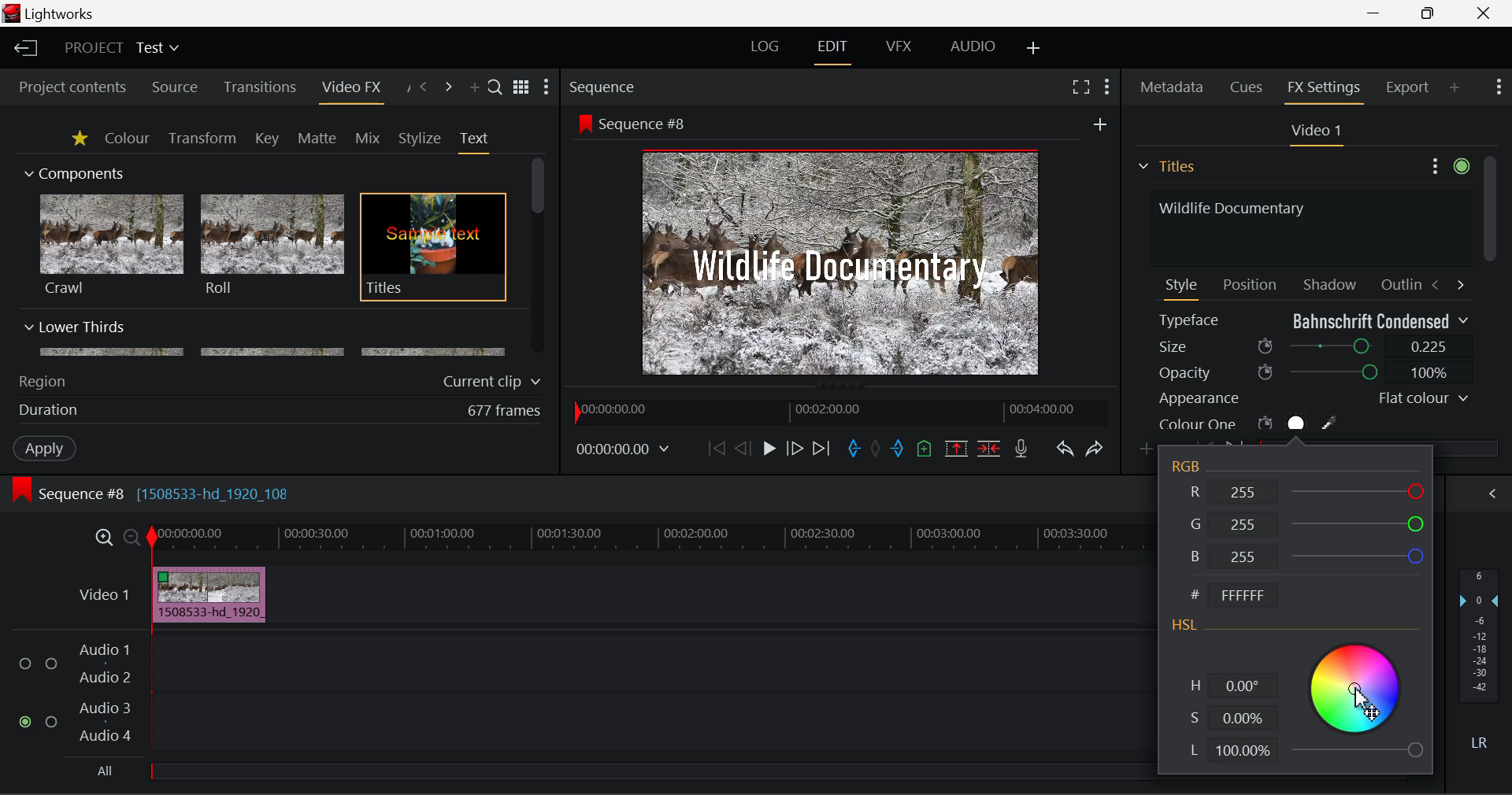 The width and height of the screenshot is (1512, 795). I want to click on Show Settings, so click(547, 87).